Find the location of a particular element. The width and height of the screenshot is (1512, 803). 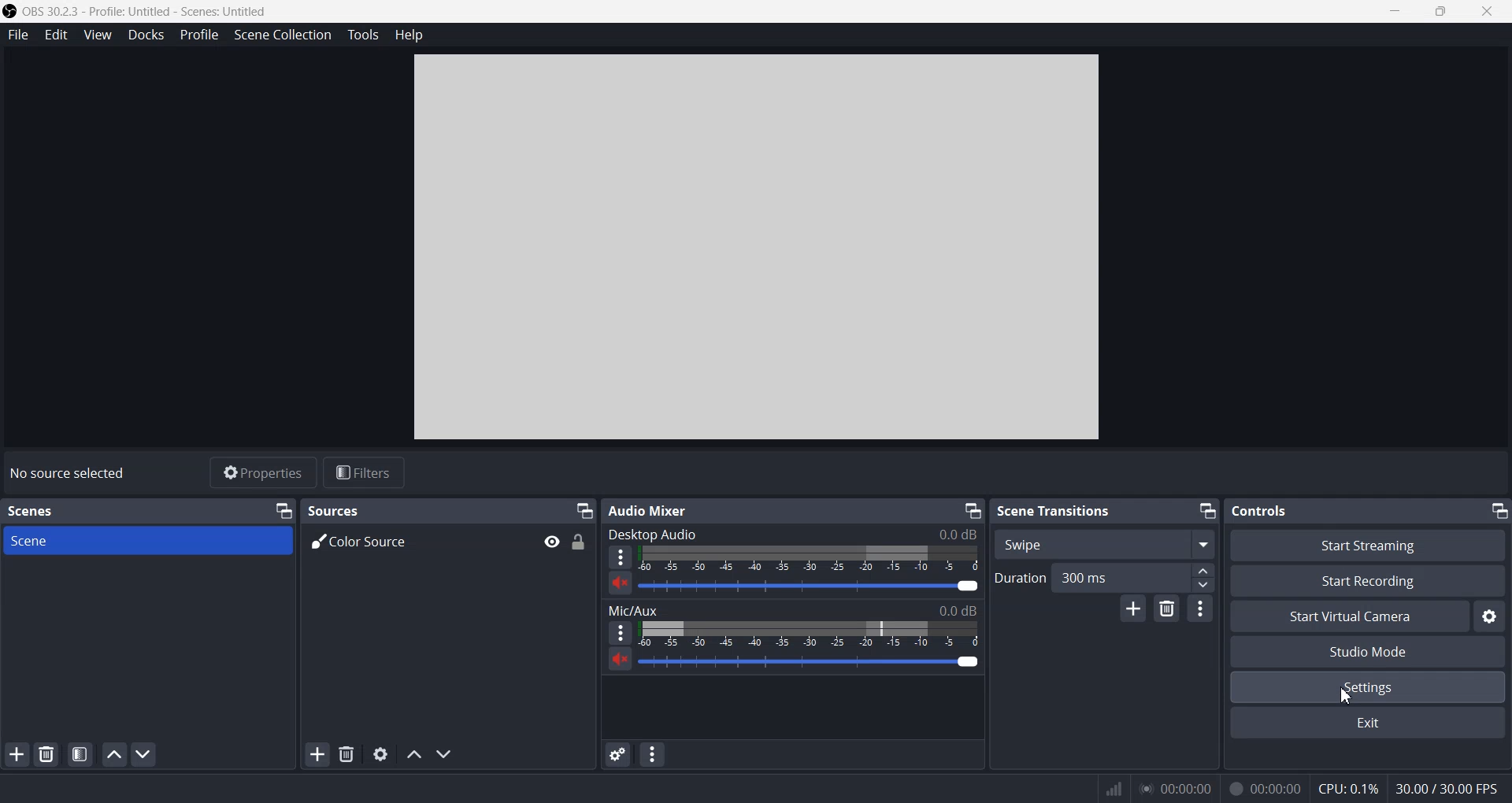

Move source up is located at coordinates (414, 755).